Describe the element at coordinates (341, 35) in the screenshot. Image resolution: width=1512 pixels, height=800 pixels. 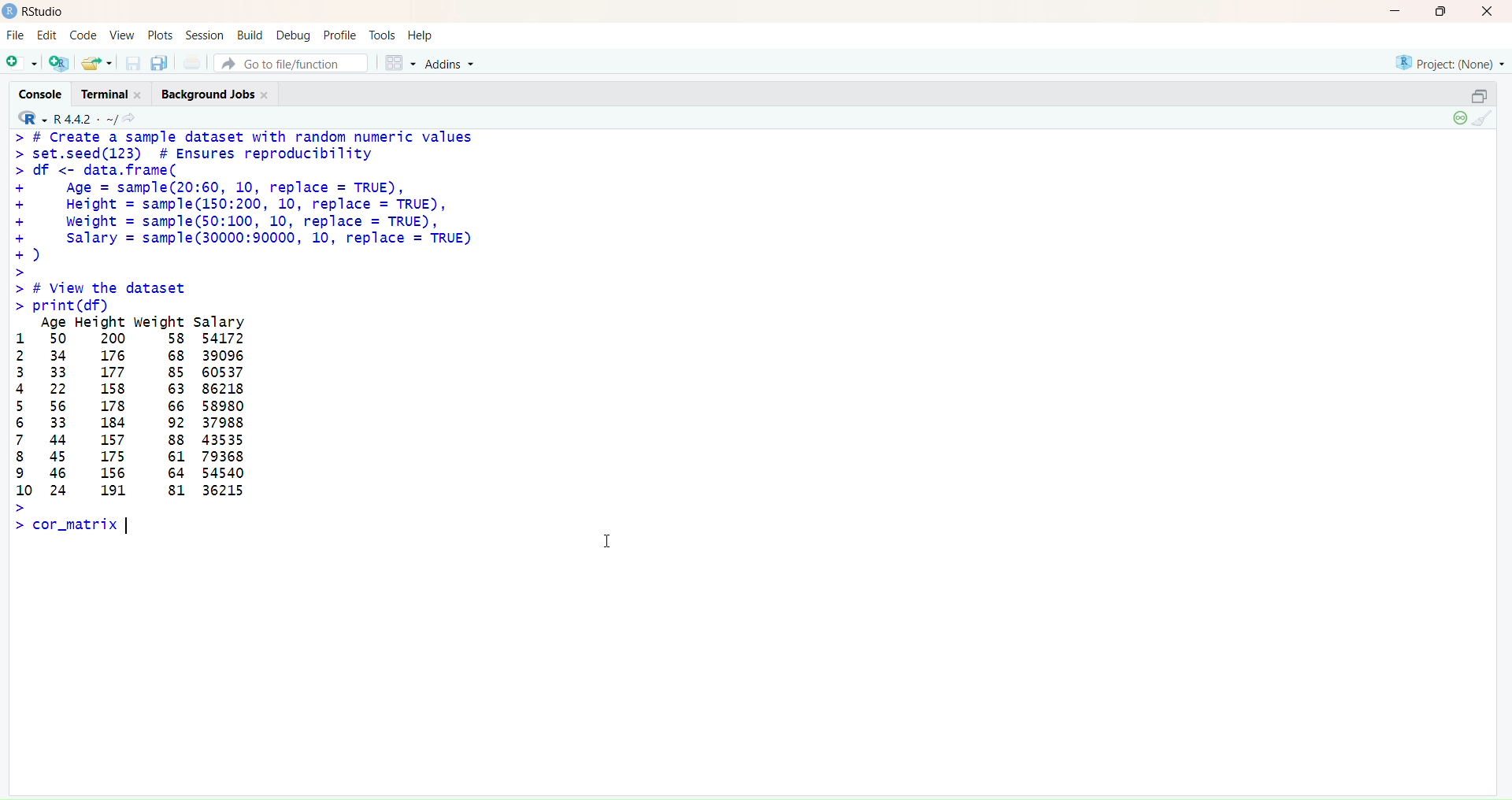
I see `Profile` at that location.